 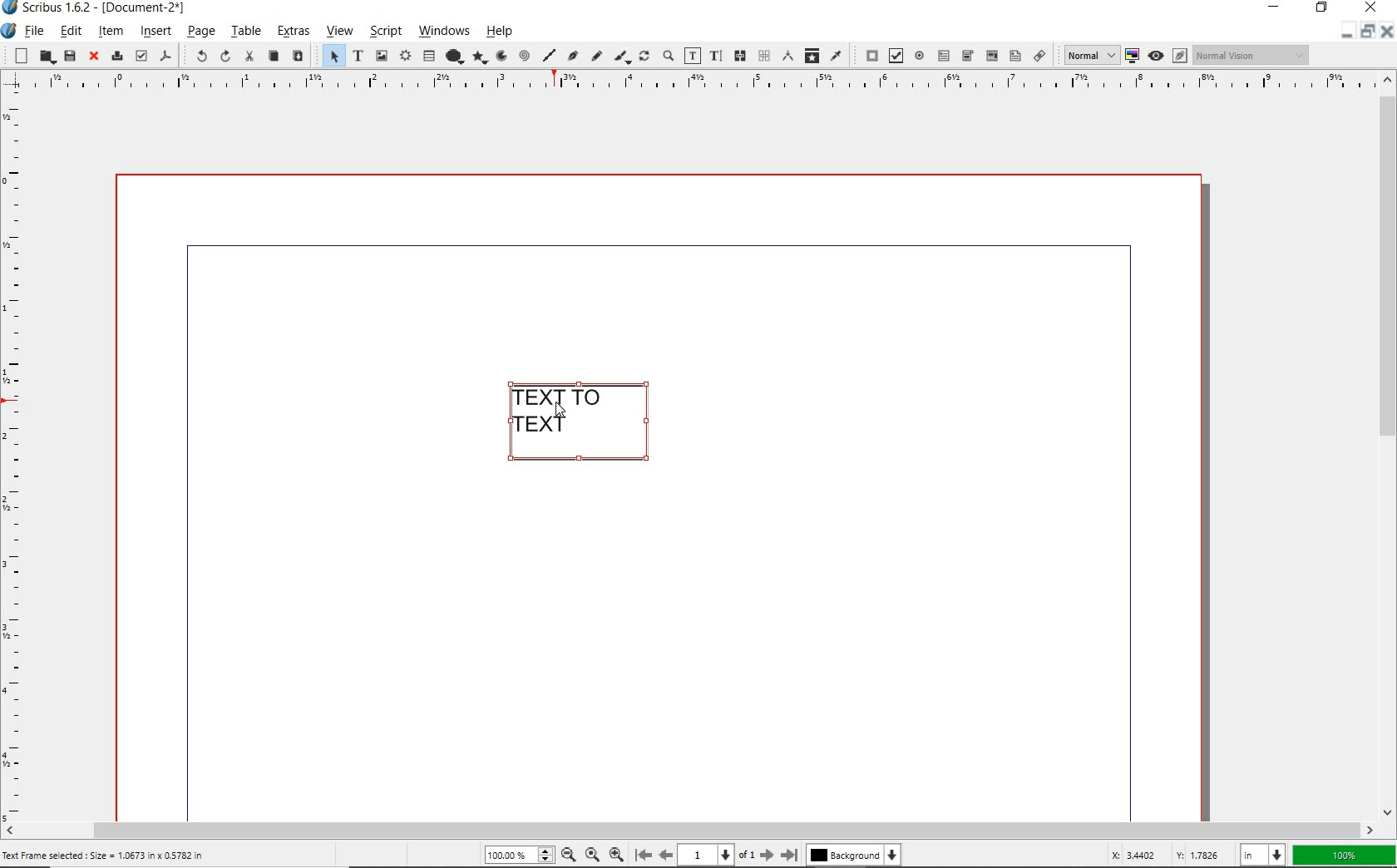 What do you see at coordinates (1345, 856) in the screenshot?
I see `zoom factor` at bounding box center [1345, 856].